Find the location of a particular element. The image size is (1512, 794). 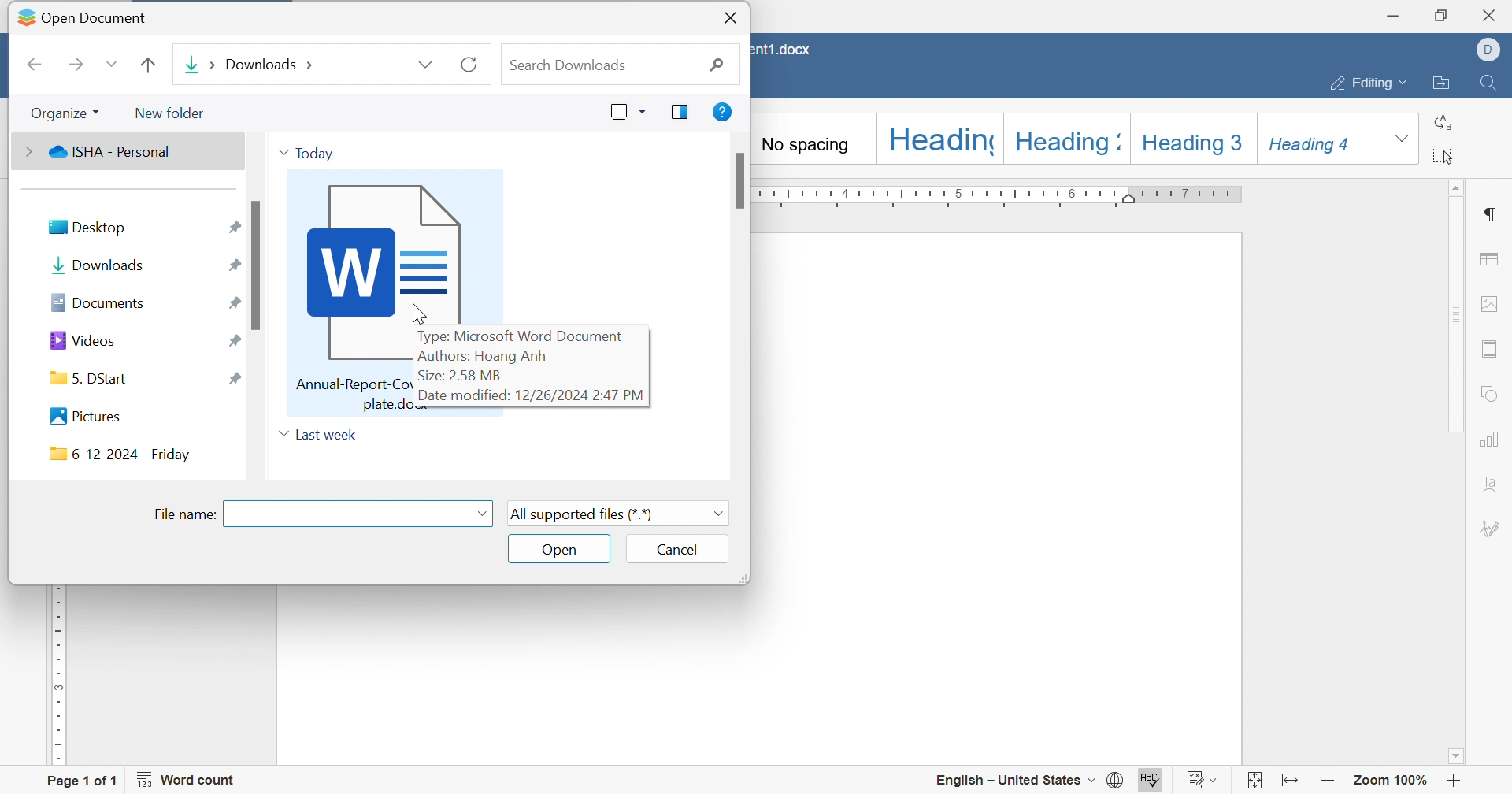

change the view is located at coordinates (626, 110).